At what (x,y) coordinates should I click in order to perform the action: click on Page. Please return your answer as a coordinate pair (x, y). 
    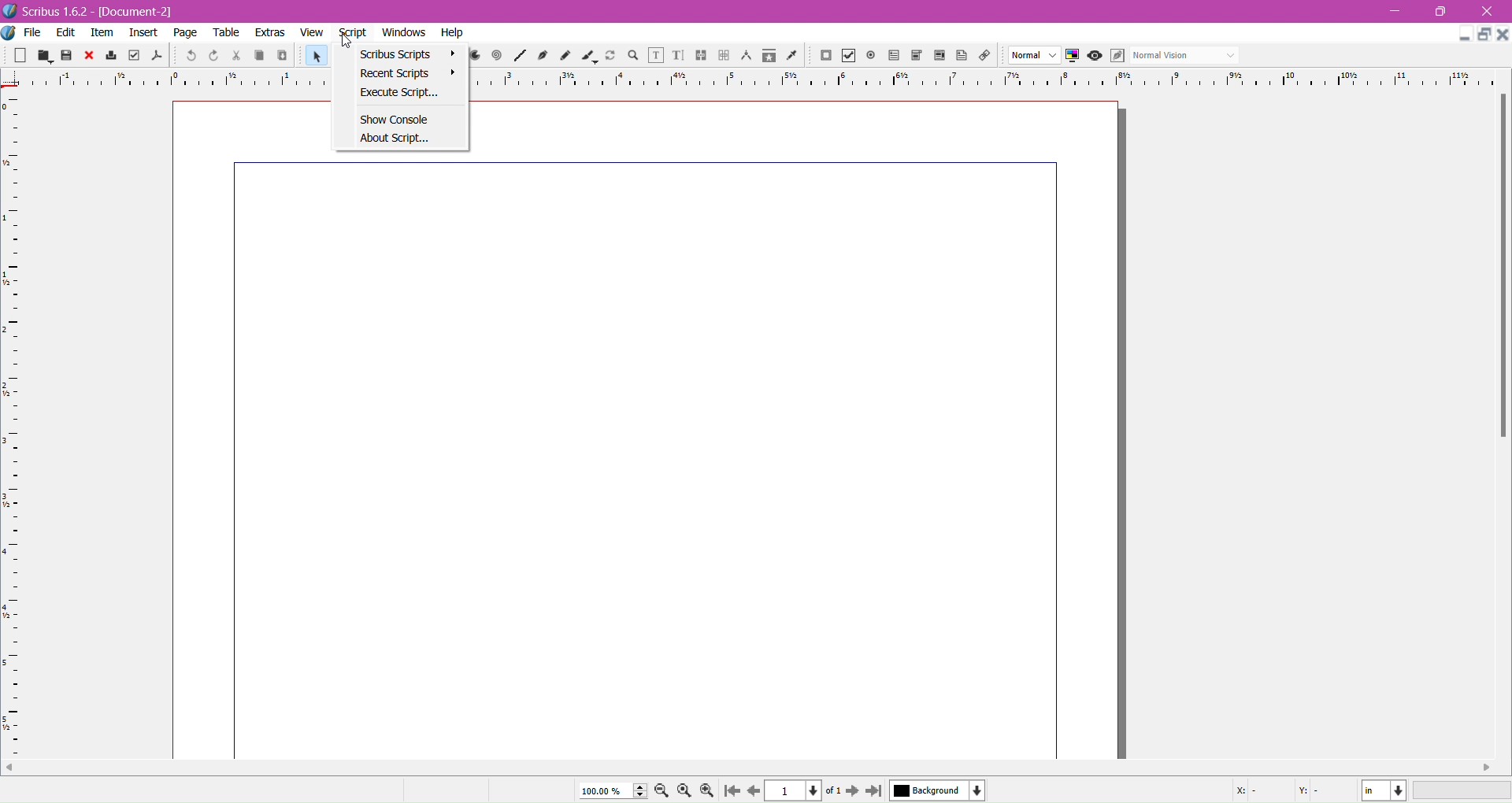
    Looking at the image, I should click on (185, 35).